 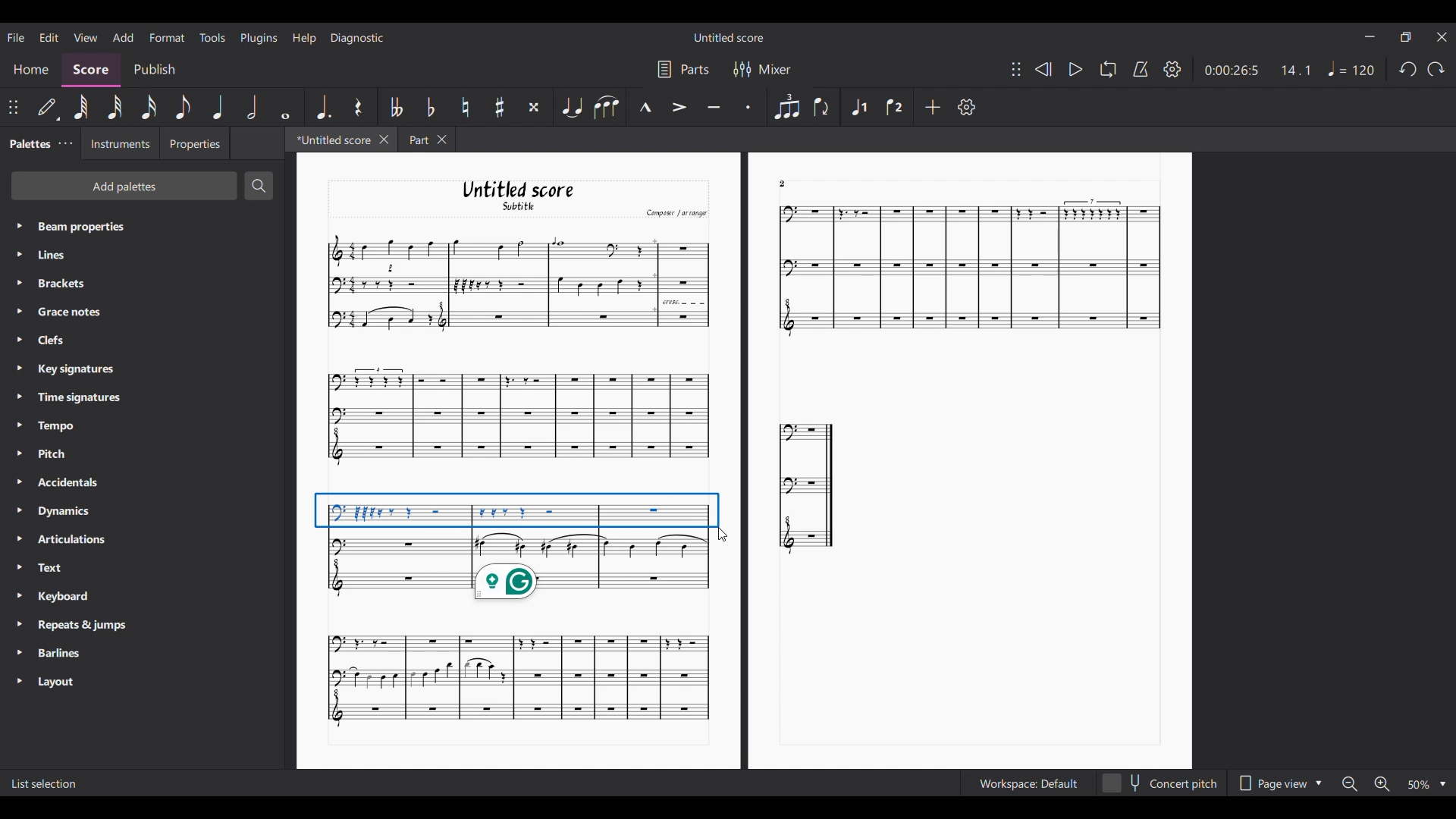 I want to click on > Tempo, so click(x=50, y=426).